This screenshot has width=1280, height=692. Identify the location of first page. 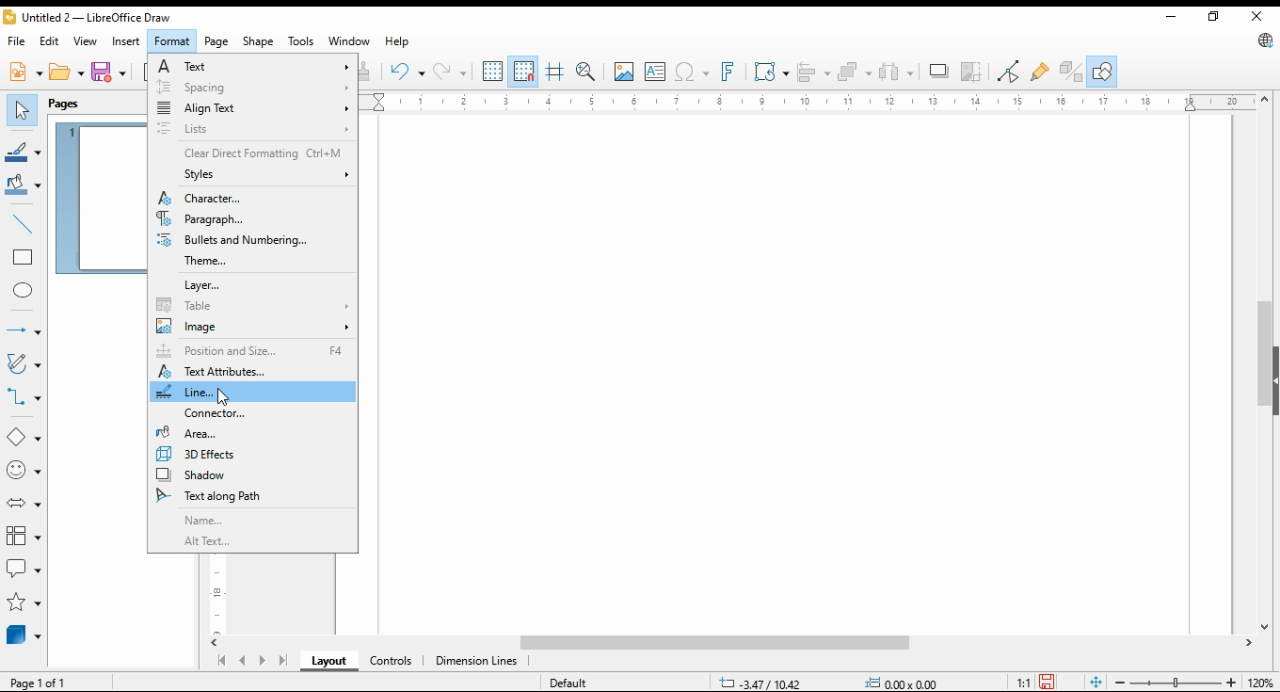
(220, 661).